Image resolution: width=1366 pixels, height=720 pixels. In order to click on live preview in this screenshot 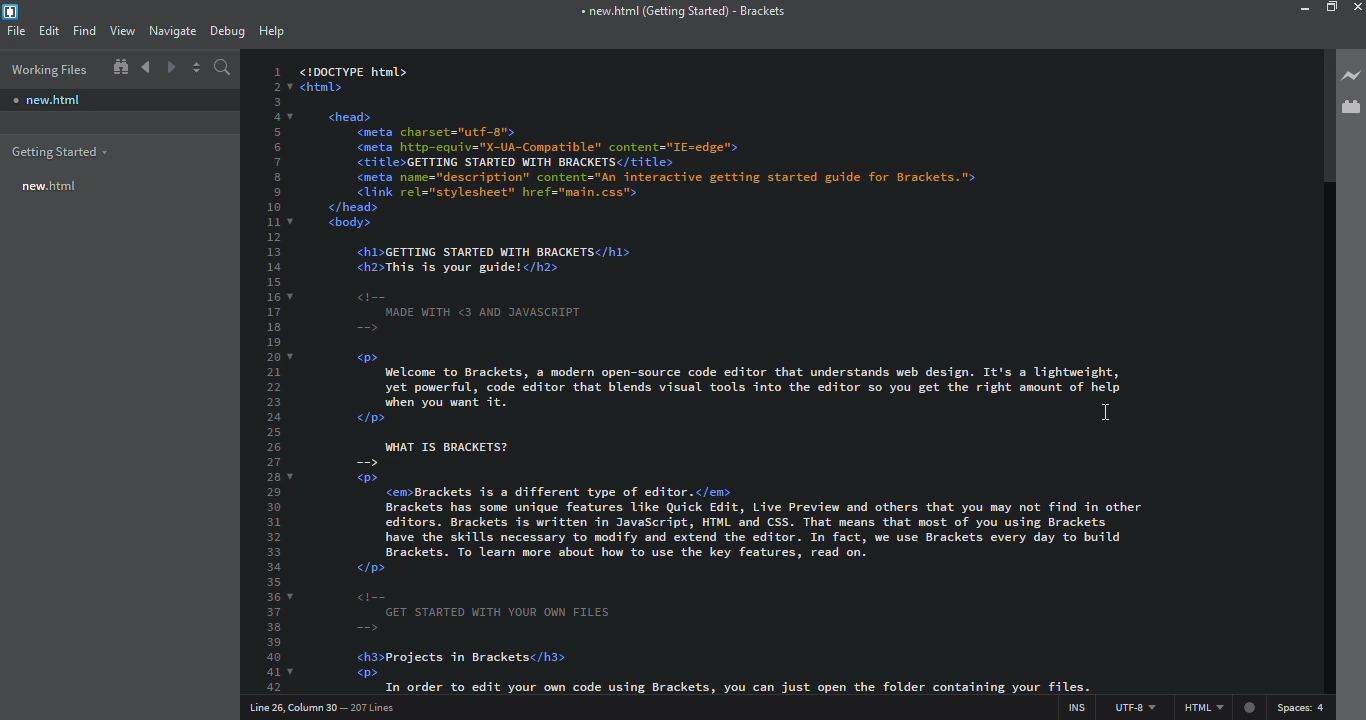, I will do `click(1349, 74)`.